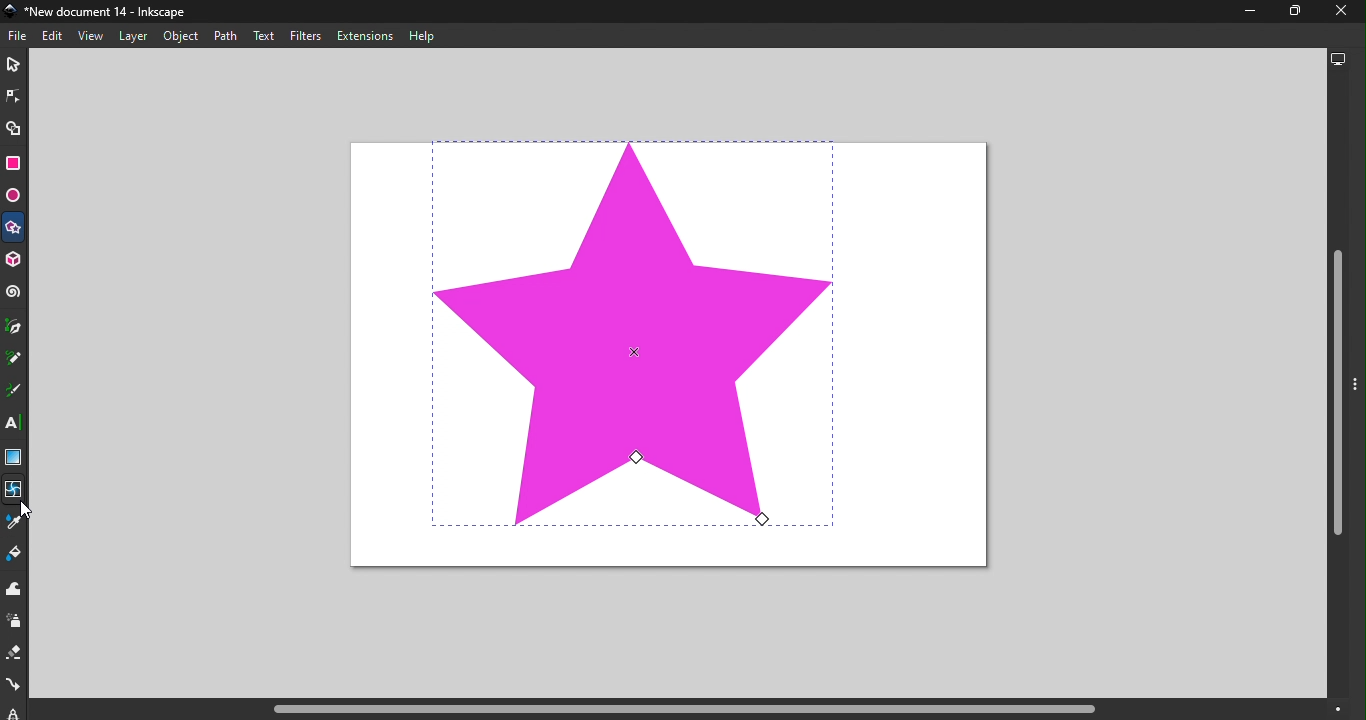  I want to click on Text, so click(263, 35).